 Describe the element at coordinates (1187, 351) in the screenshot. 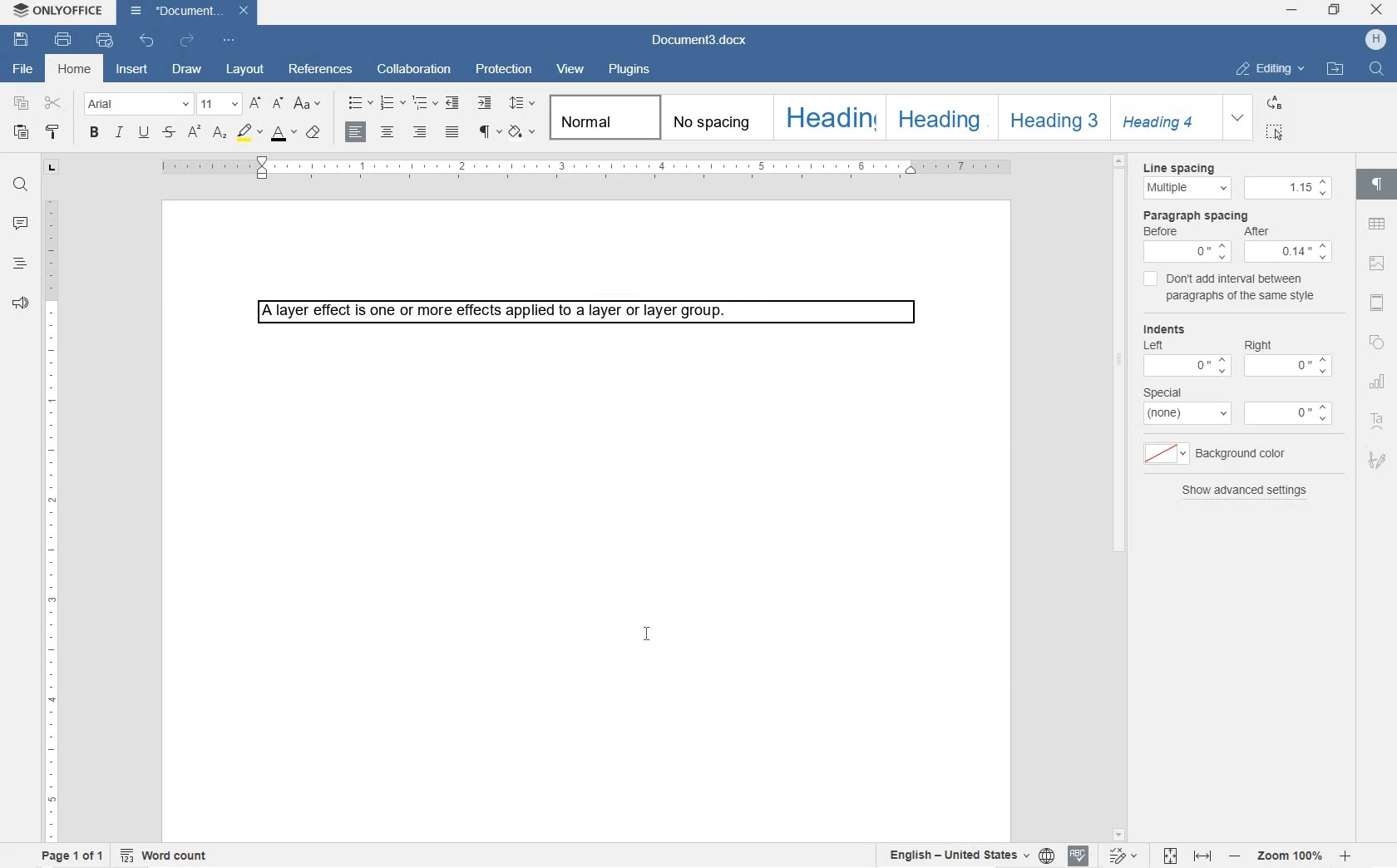

I see `Indents Left` at that location.